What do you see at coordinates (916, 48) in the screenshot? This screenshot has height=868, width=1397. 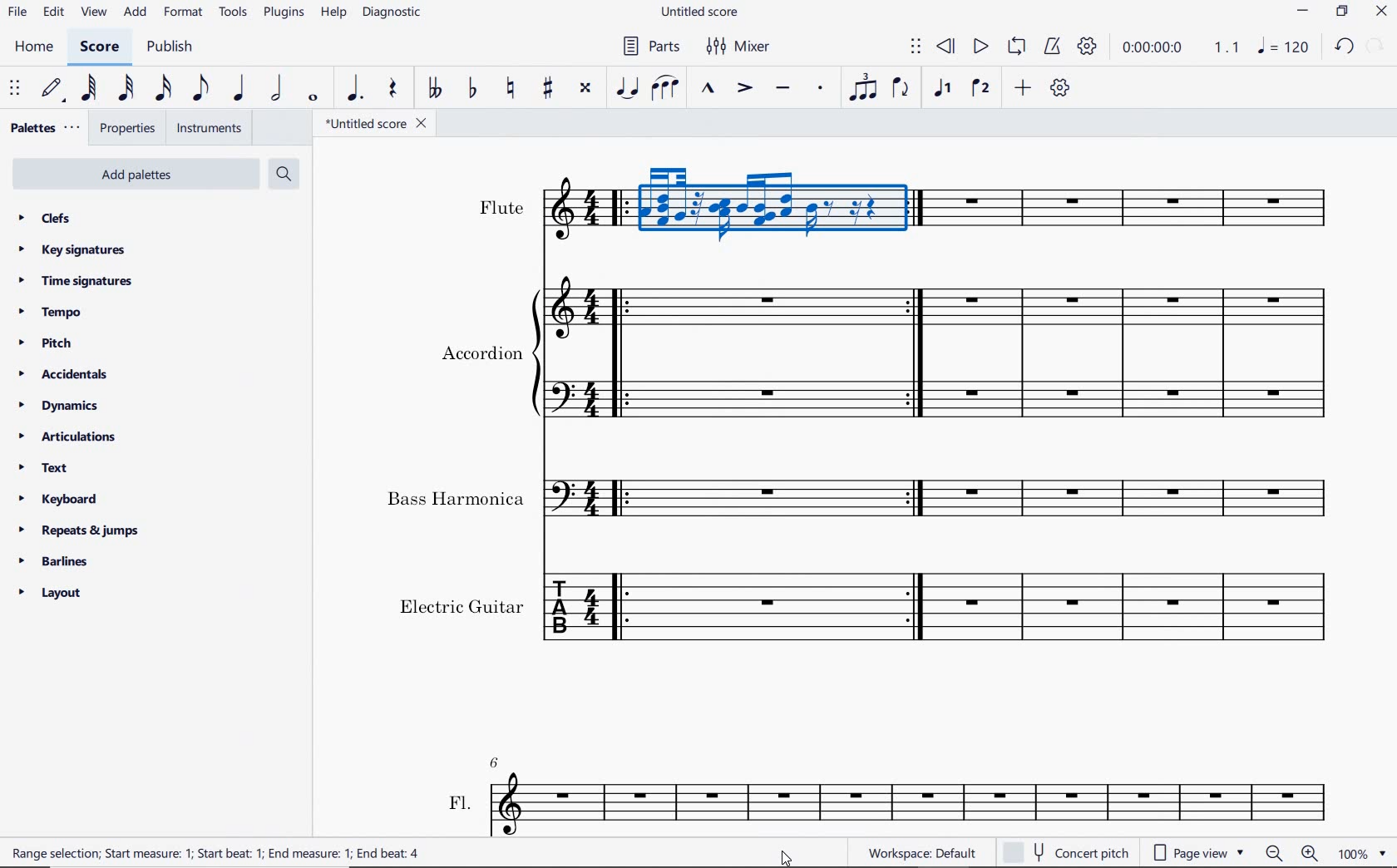 I see `select to move` at bounding box center [916, 48].